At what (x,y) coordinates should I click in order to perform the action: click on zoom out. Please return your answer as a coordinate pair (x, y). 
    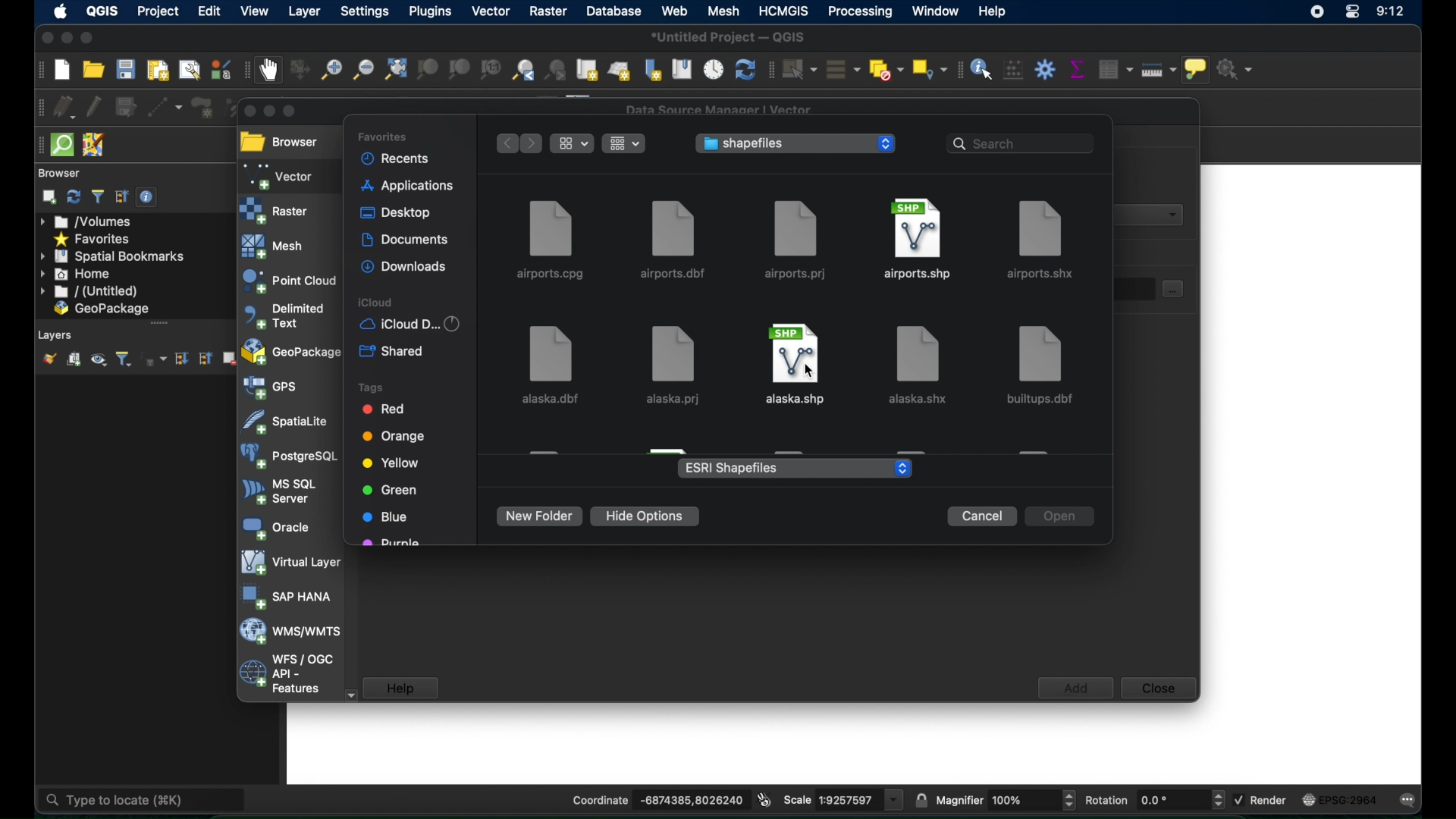
    Looking at the image, I should click on (362, 72).